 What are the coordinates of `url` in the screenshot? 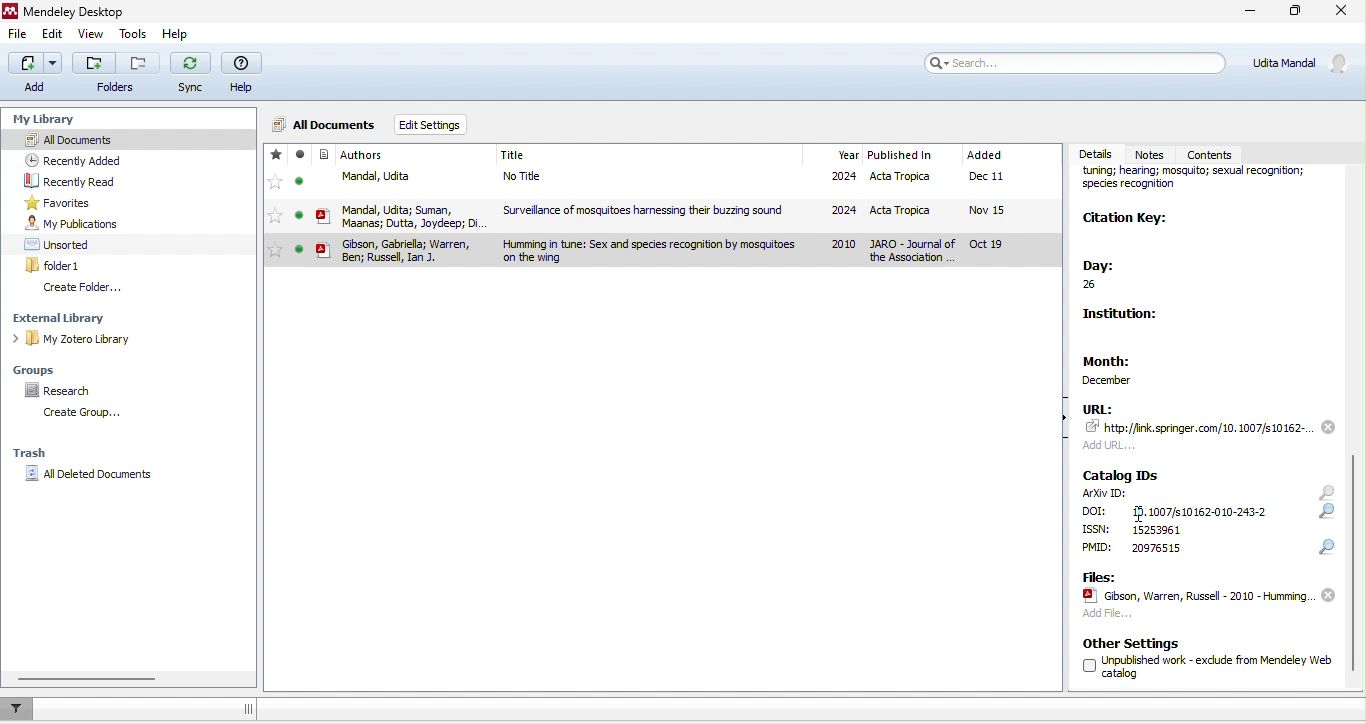 It's located at (1098, 408).